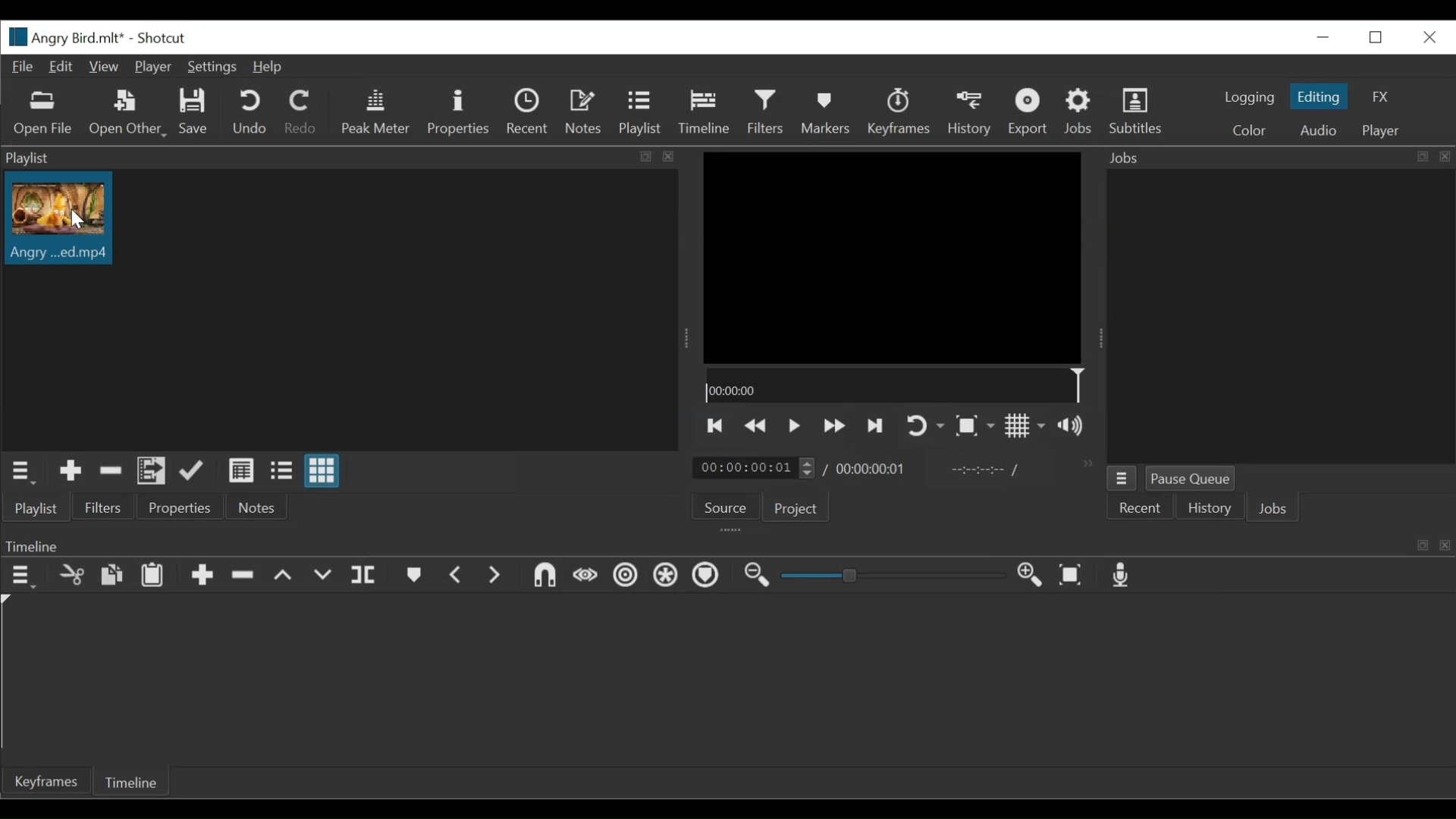 This screenshot has width=1456, height=819. I want to click on Markers, so click(413, 577).